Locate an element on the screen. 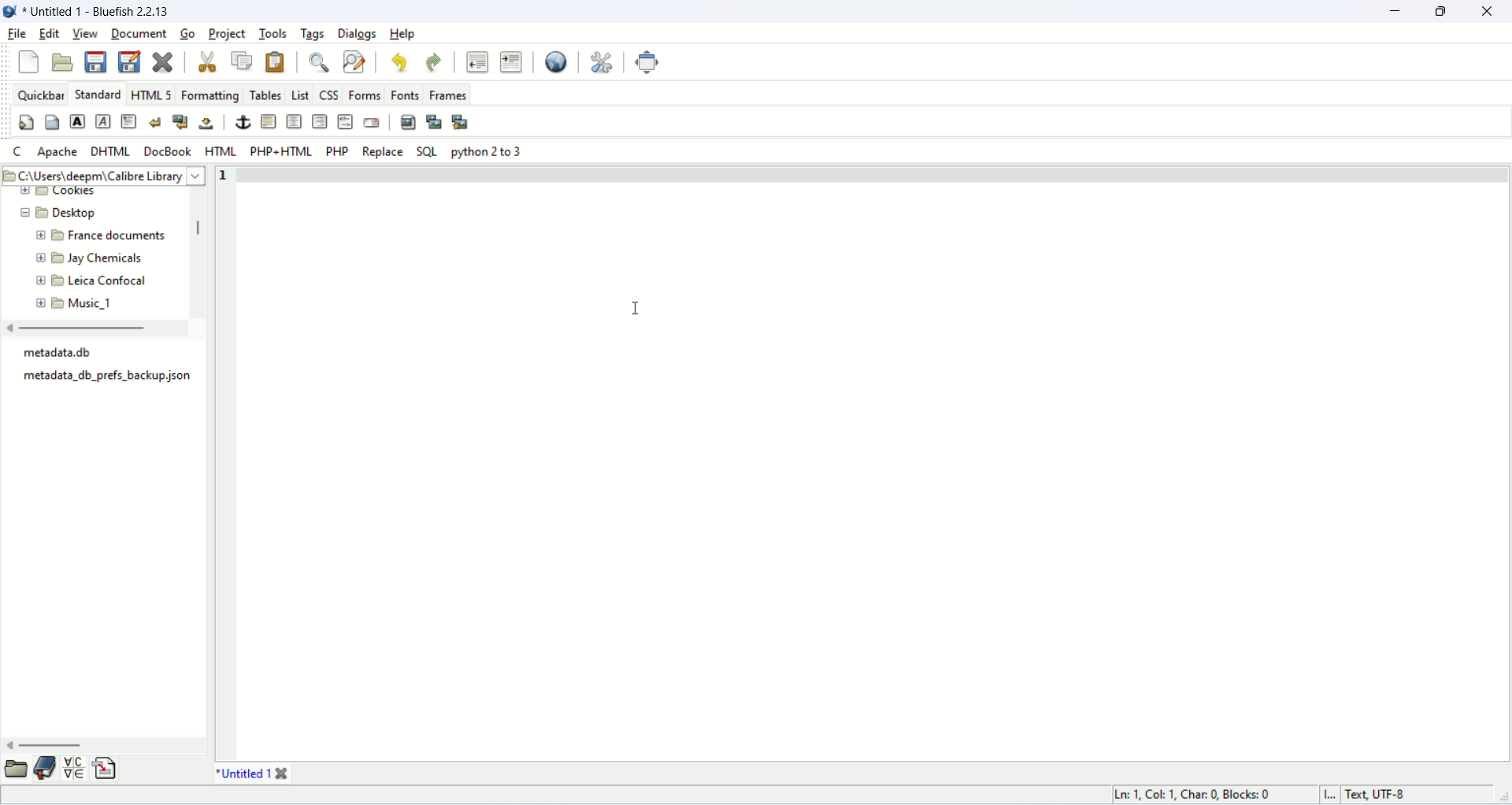  tags is located at coordinates (313, 34).